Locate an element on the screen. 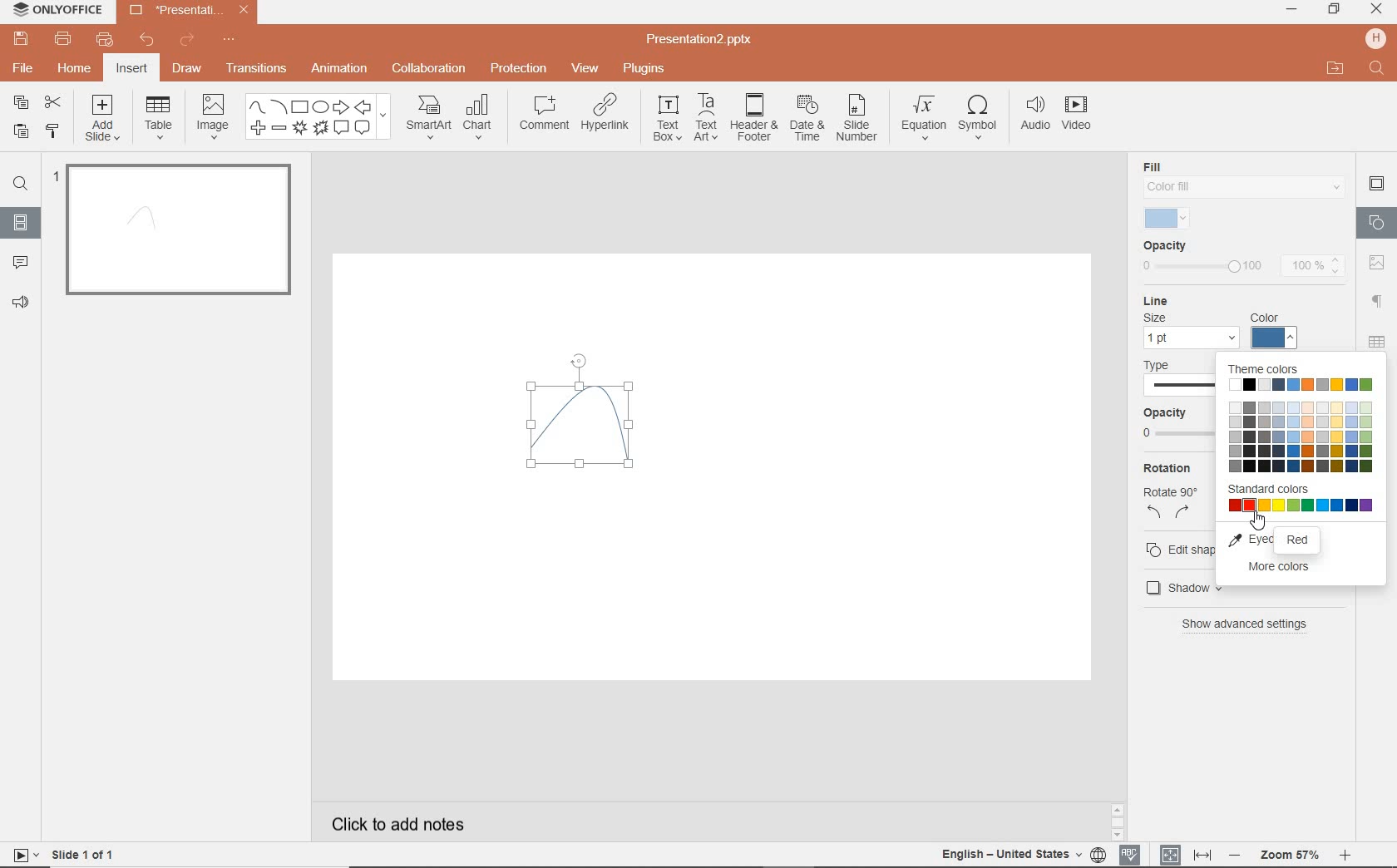  SLIDES is located at coordinates (20, 222).